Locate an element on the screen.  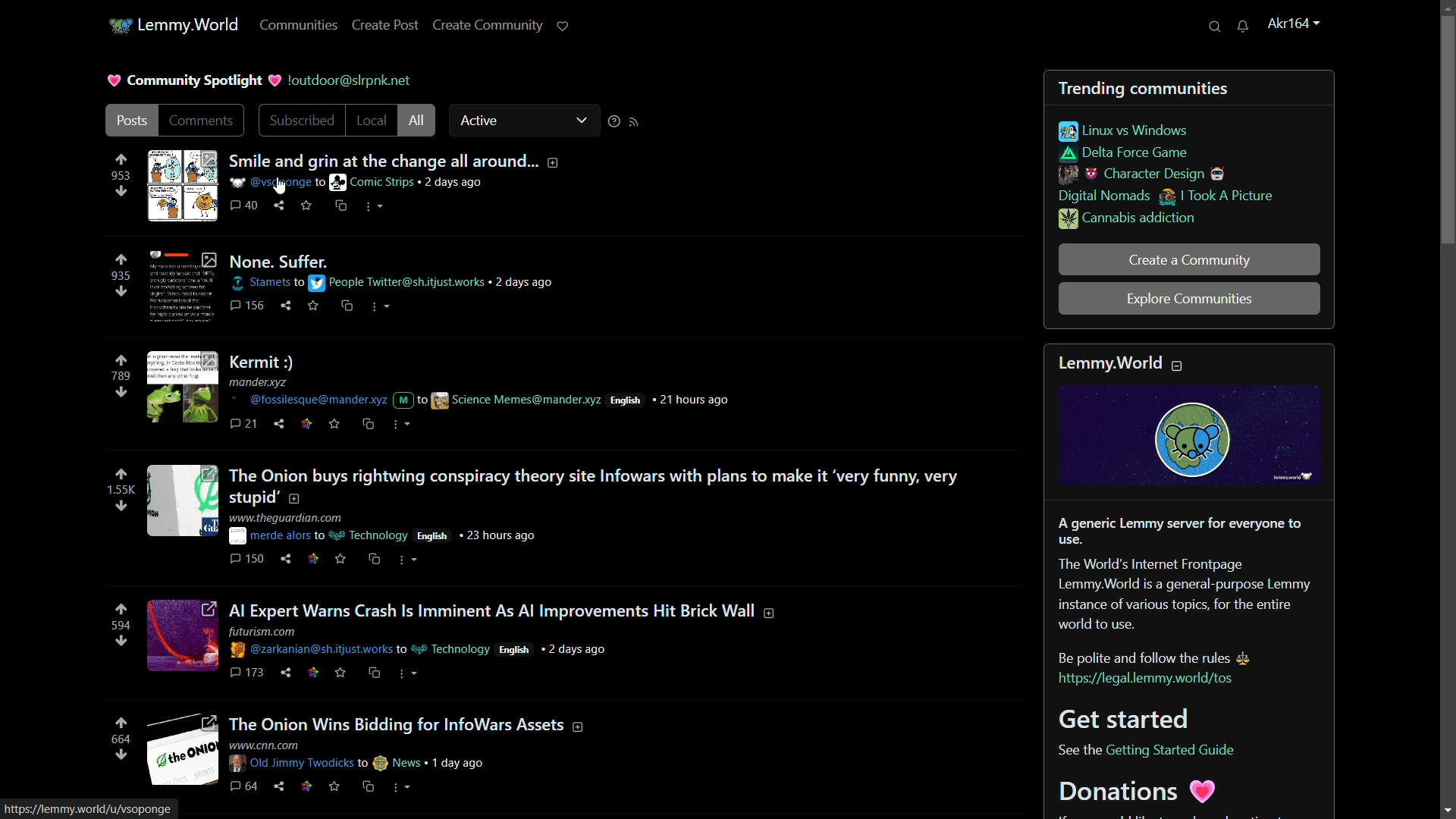
post-3 is located at coordinates (266, 363).